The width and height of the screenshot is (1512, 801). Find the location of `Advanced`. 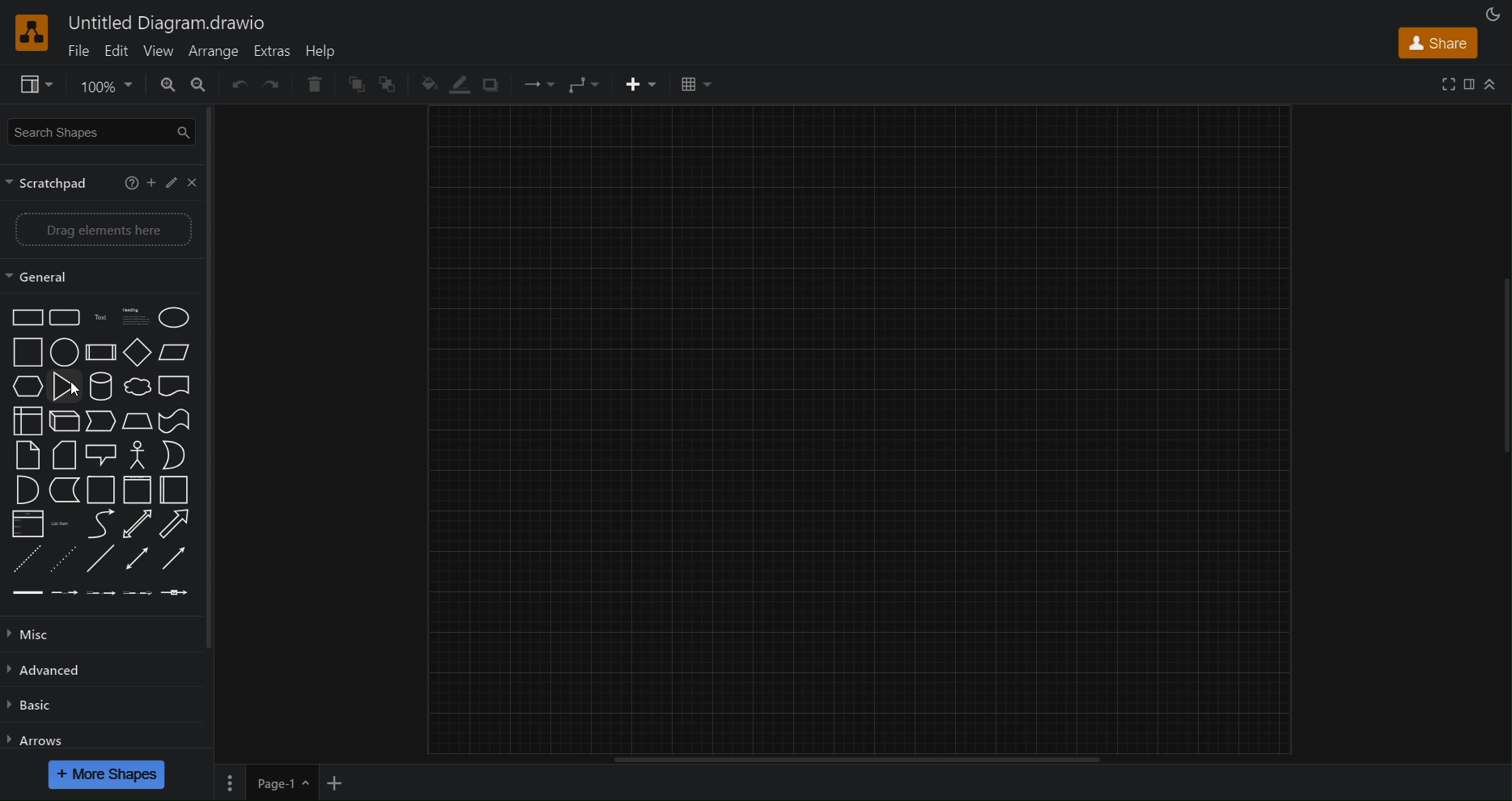

Advanced is located at coordinates (51, 674).